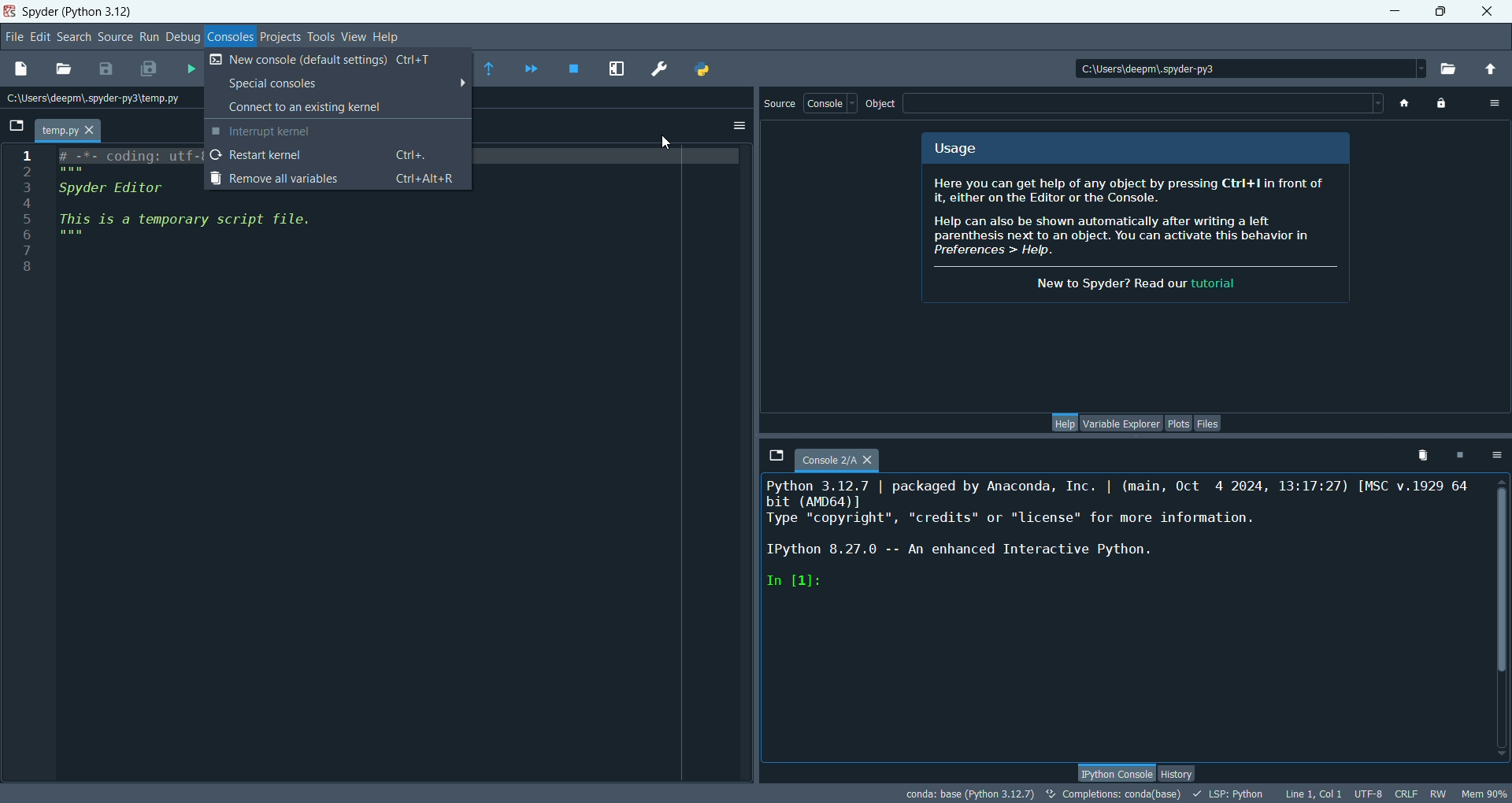  What do you see at coordinates (345, 83) in the screenshot?
I see `special consoles` at bounding box center [345, 83].